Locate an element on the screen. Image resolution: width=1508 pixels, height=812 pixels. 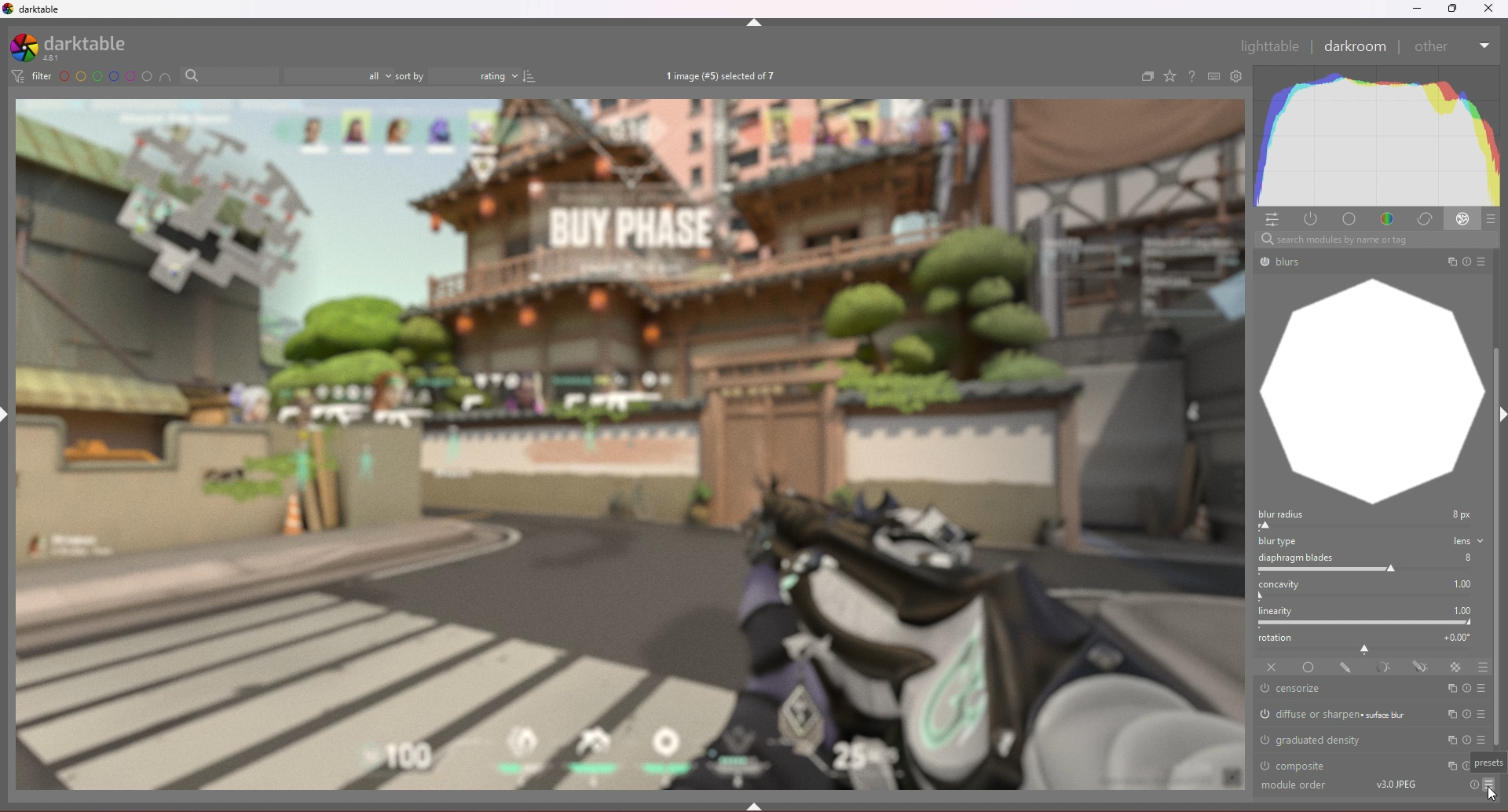
 is located at coordinates (1281, 263).